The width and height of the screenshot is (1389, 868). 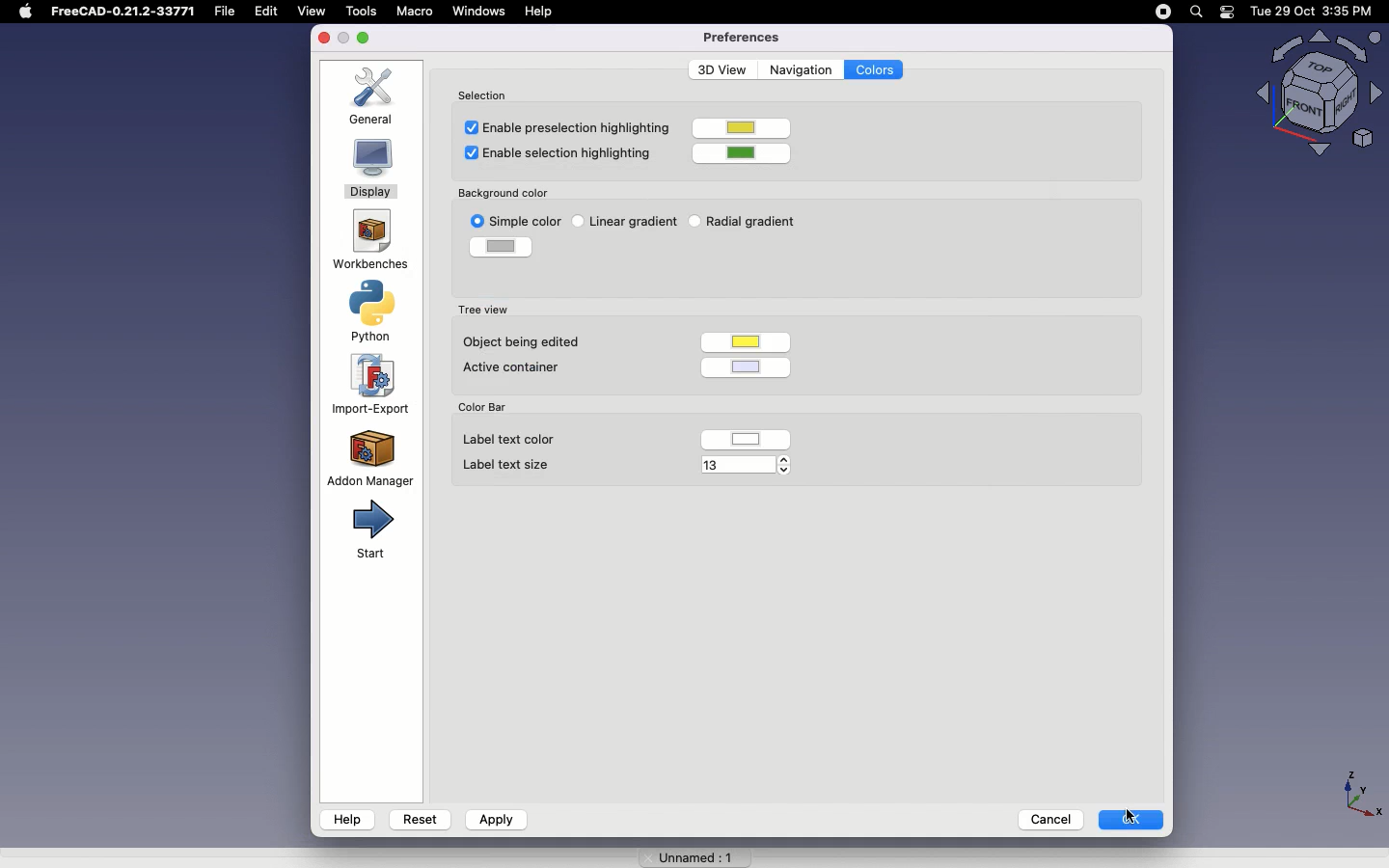 What do you see at coordinates (752, 366) in the screenshot?
I see `color` at bounding box center [752, 366].